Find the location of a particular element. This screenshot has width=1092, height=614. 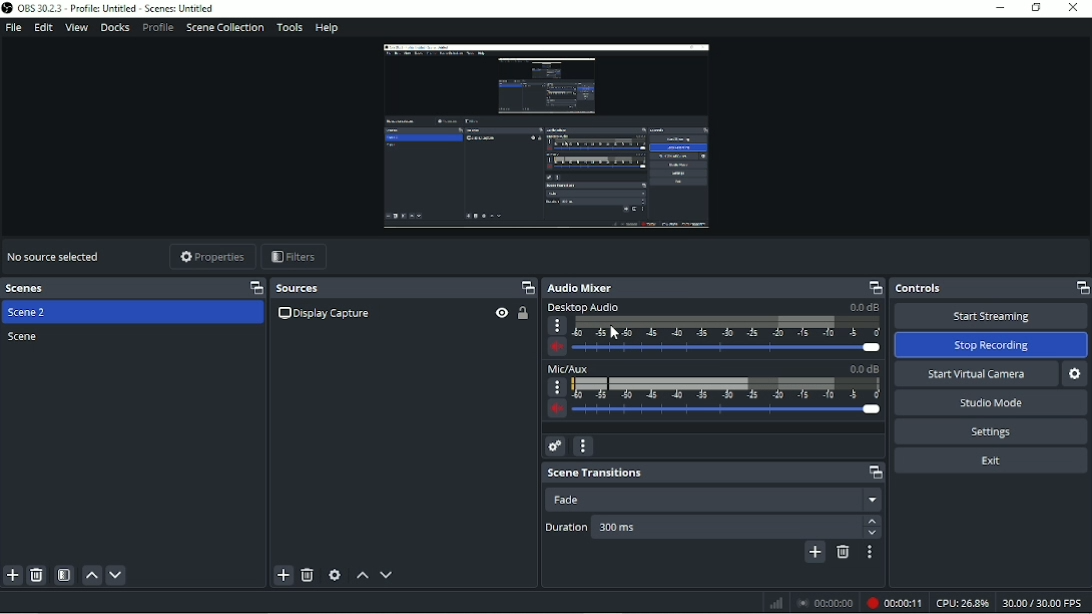

Open source properties is located at coordinates (335, 575).